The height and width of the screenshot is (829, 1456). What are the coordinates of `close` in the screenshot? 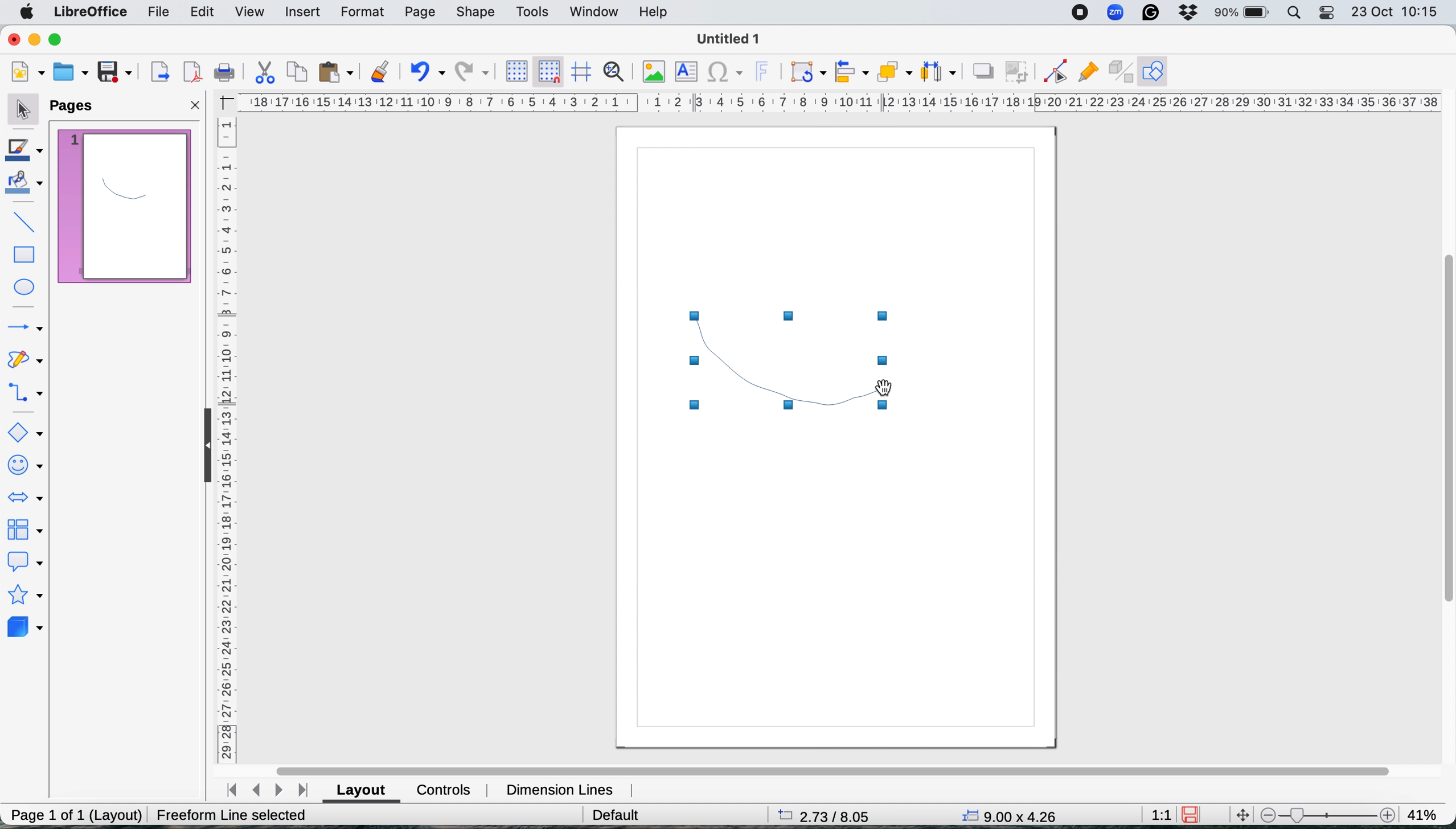 It's located at (14, 39).